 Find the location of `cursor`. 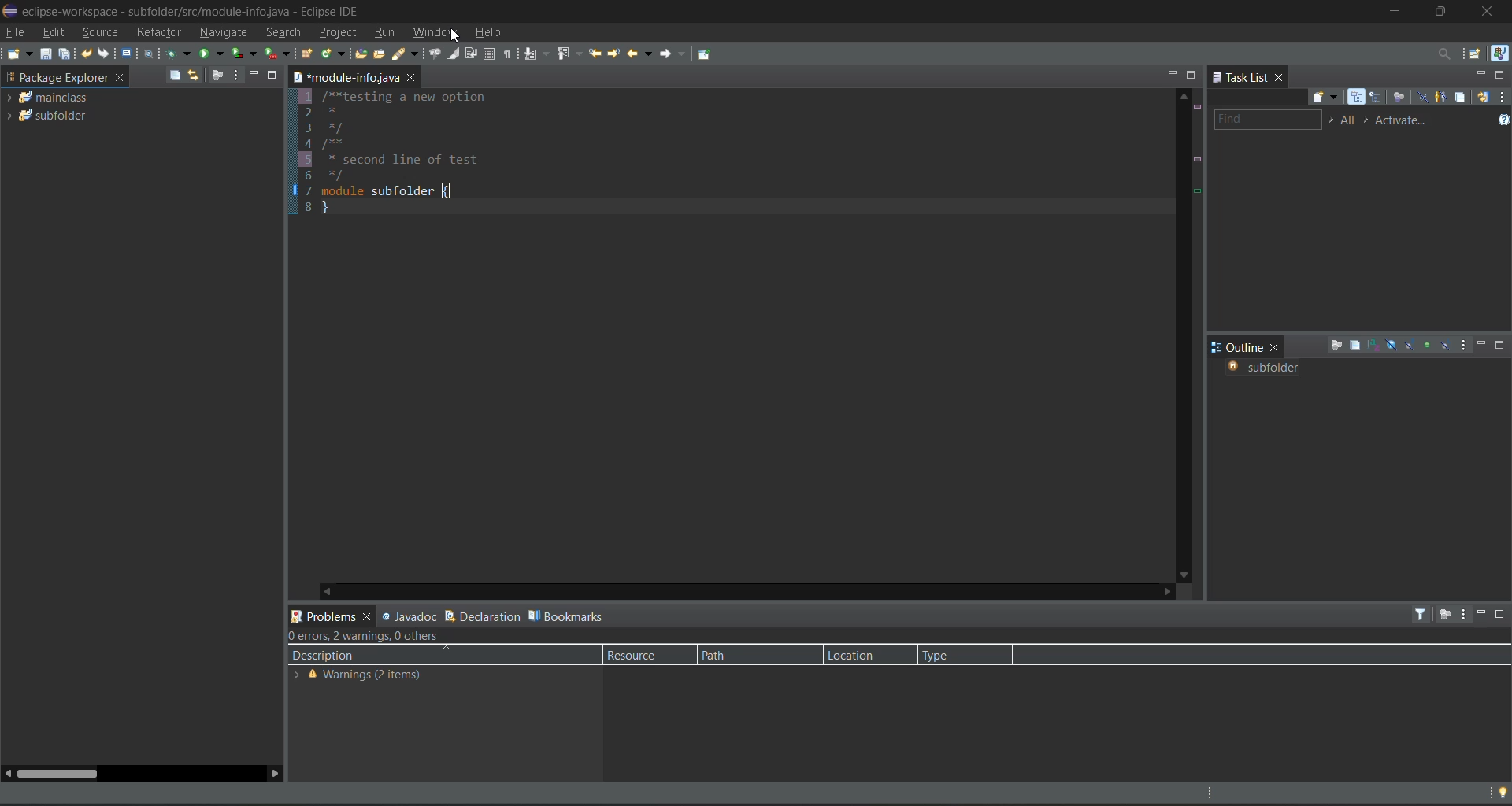

cursor is located at coordinates (461, 31).